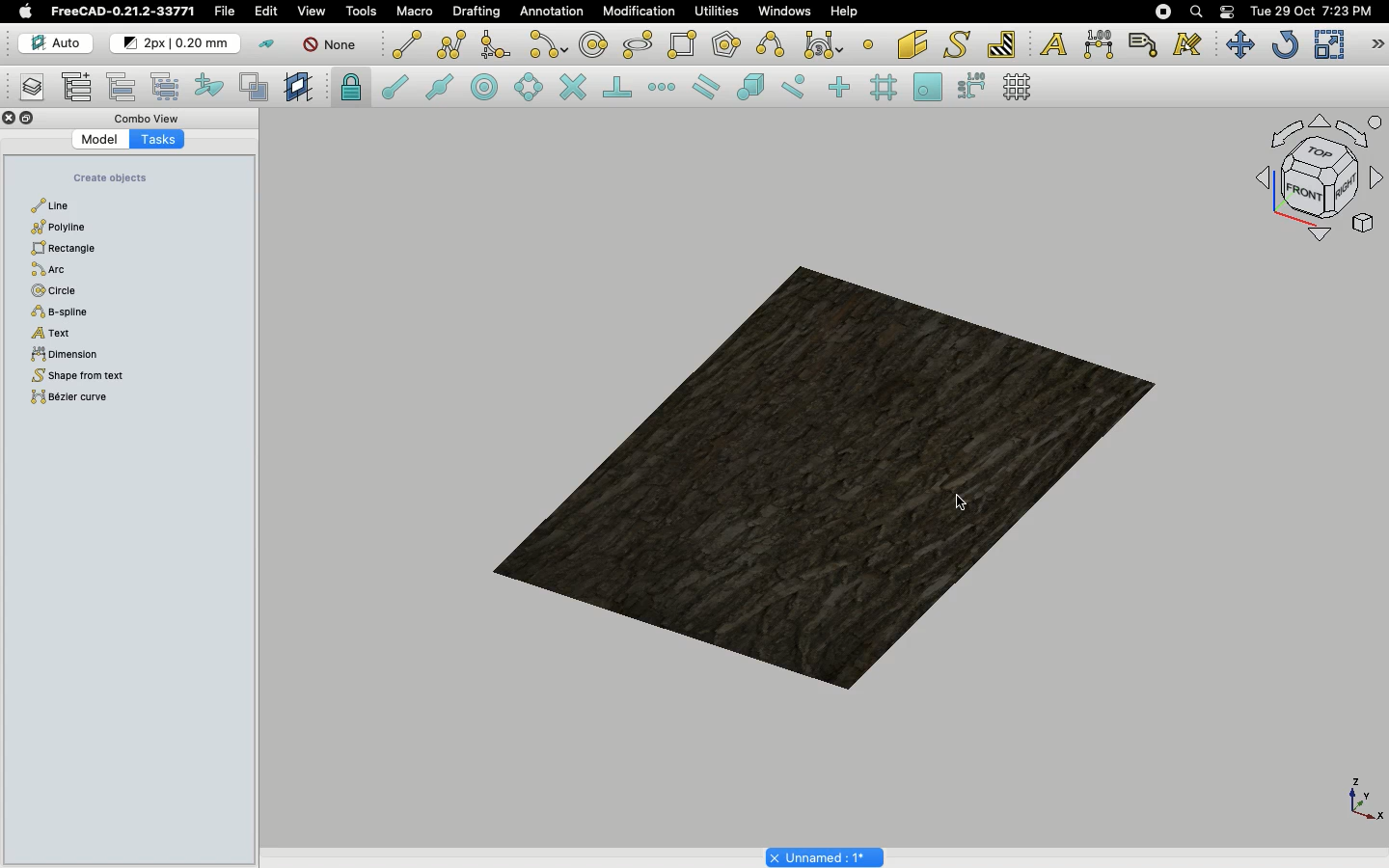 The image size is (1389, 868). Describe the element at coordinates (122, 12) in the screenshot. I see `FreeCAD` at that location.